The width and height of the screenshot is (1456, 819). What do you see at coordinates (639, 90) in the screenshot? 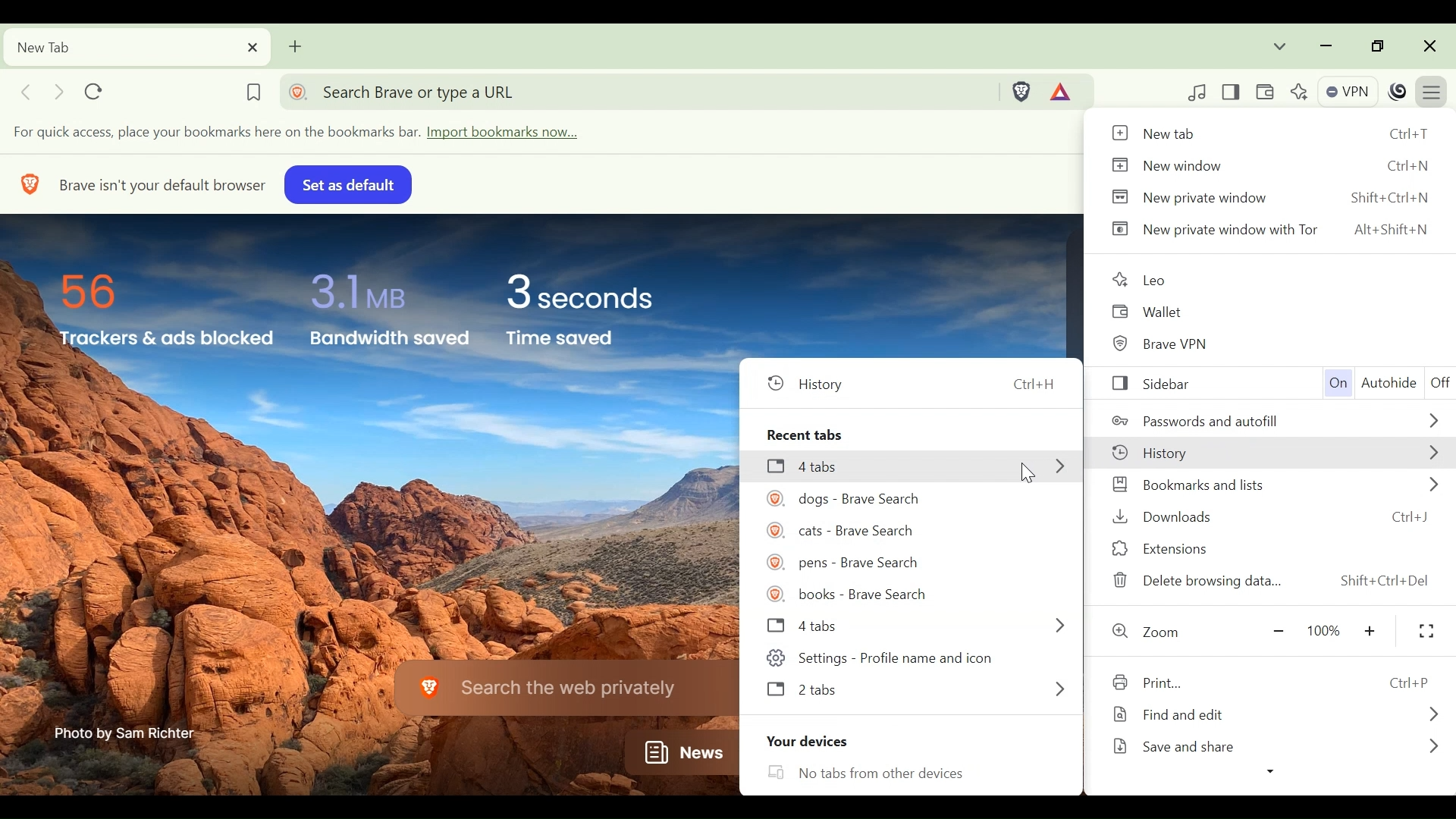
I see `Address bar` at bounding box center [639, 90].